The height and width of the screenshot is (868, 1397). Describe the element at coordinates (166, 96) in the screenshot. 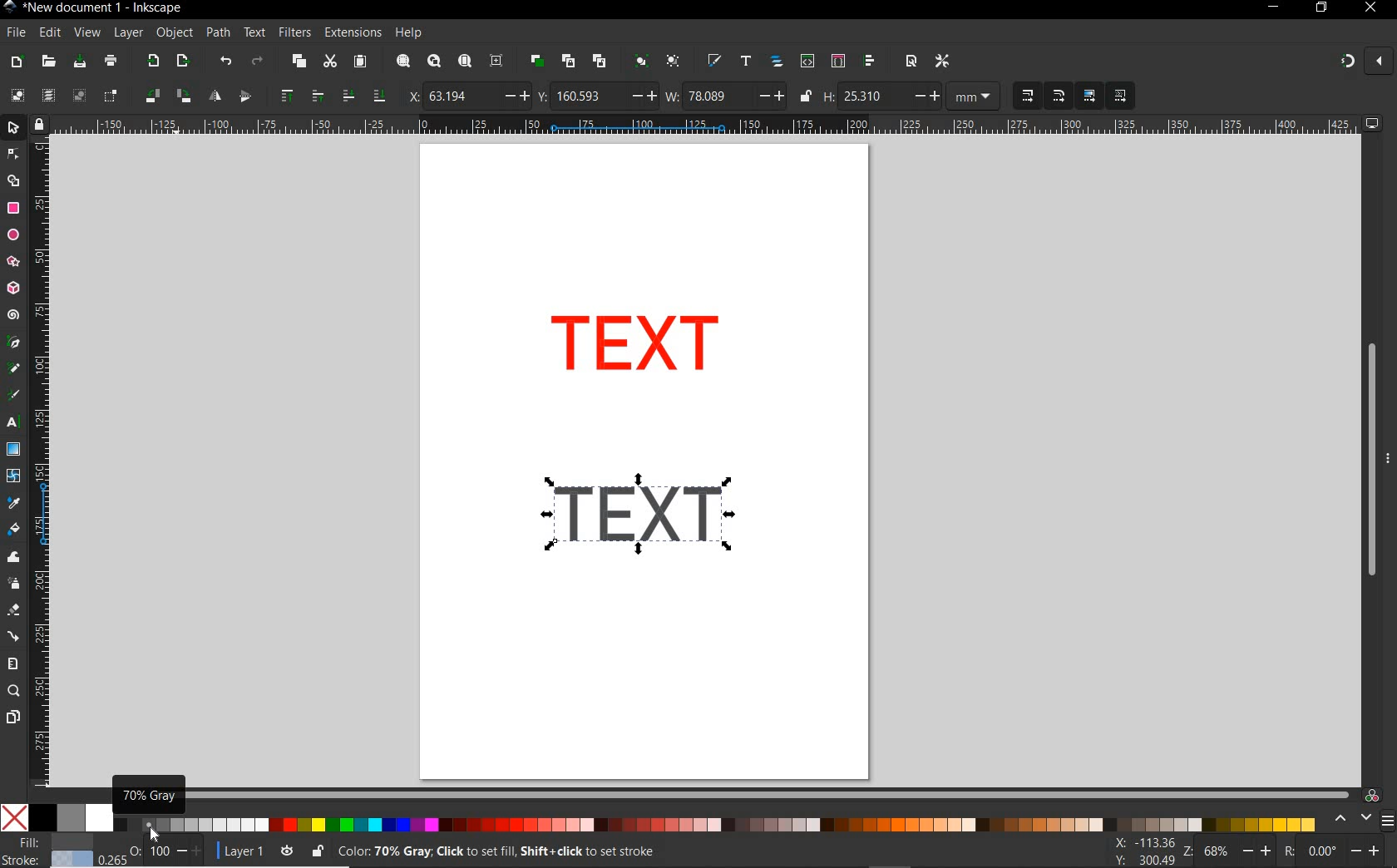

I see `object rotate` at that location.